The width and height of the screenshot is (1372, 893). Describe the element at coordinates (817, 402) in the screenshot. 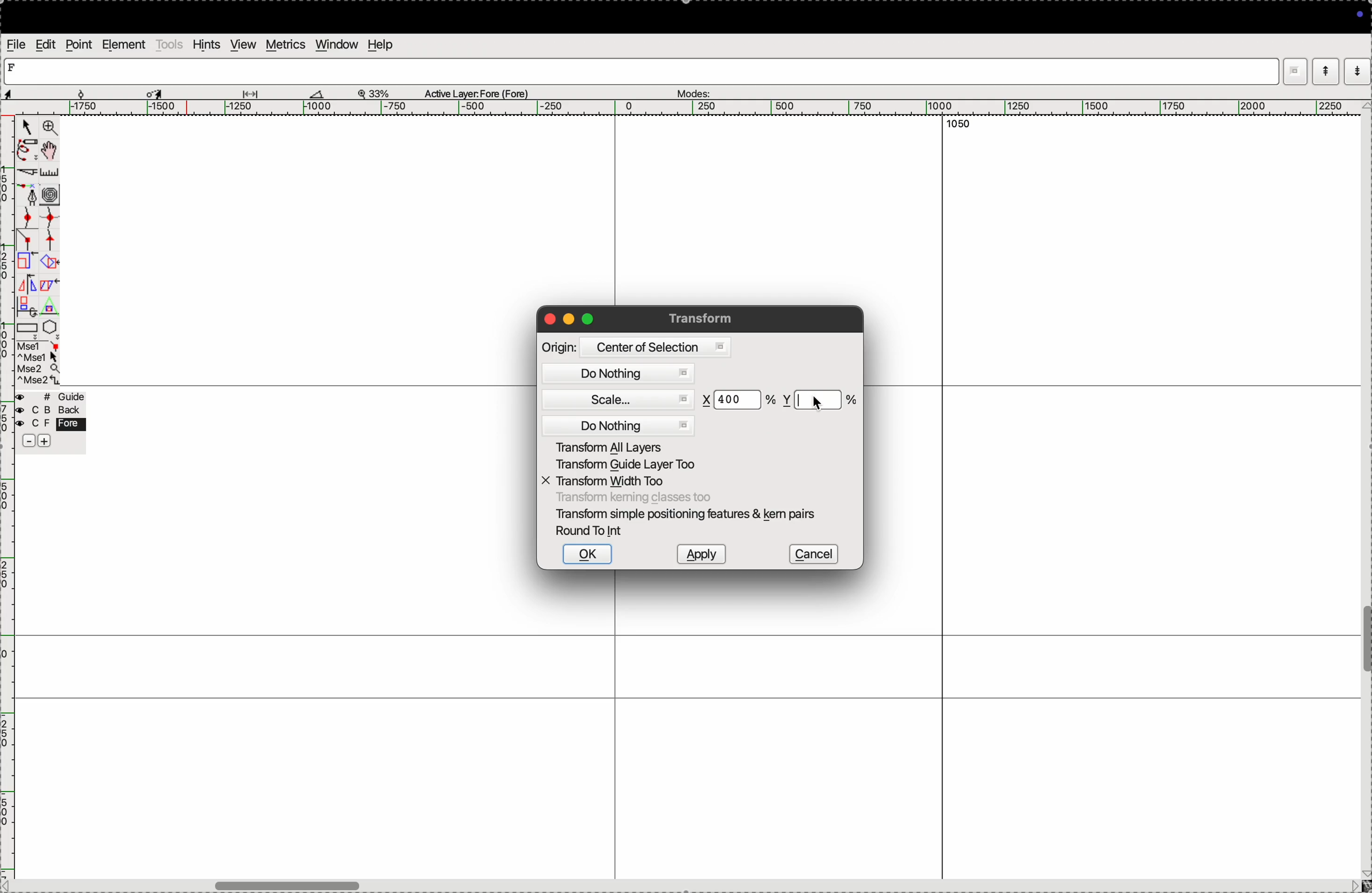

I see `Cursor` at that location.